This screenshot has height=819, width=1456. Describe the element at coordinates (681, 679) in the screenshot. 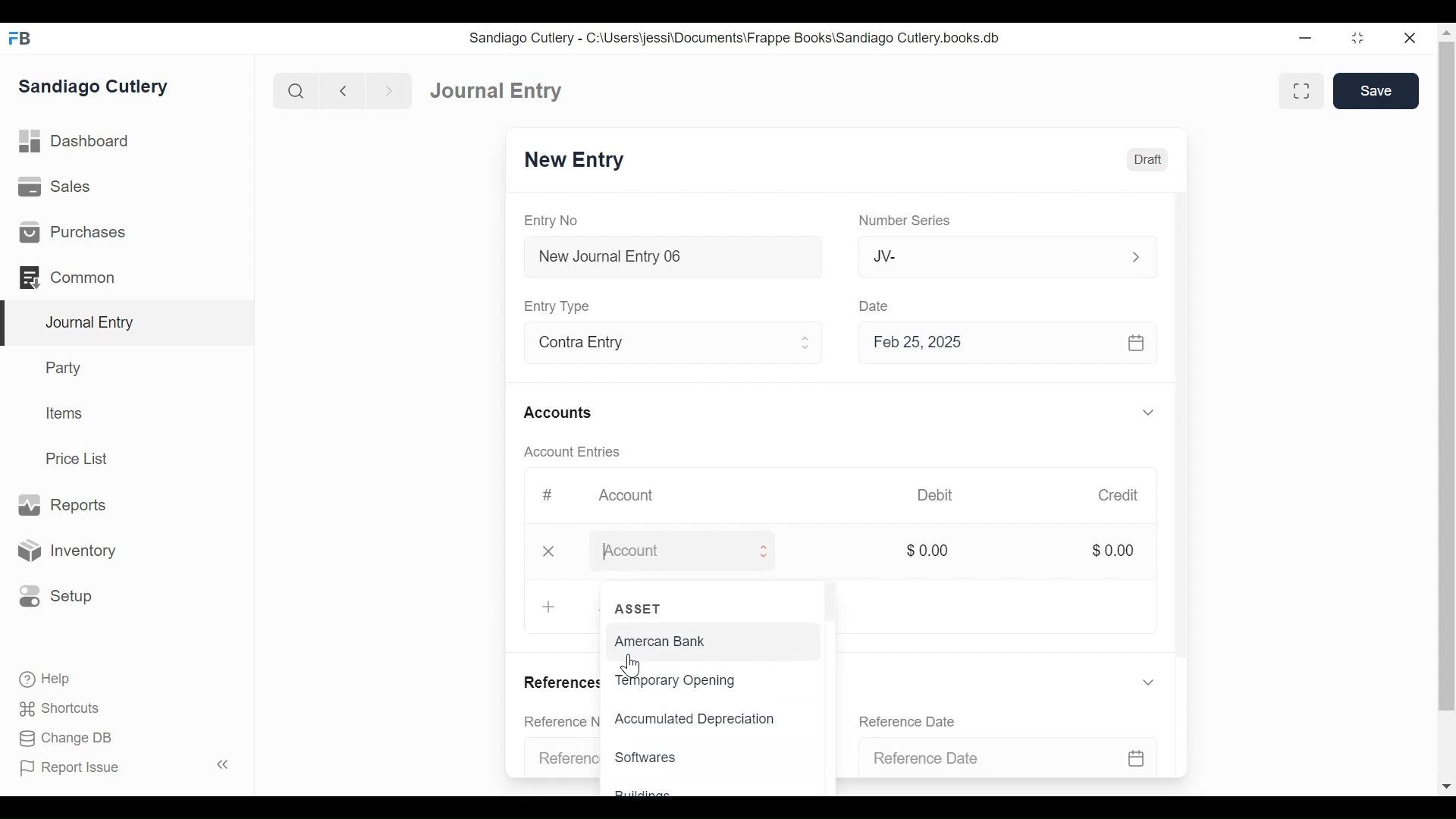

I see `Temporary Opening` at that location.